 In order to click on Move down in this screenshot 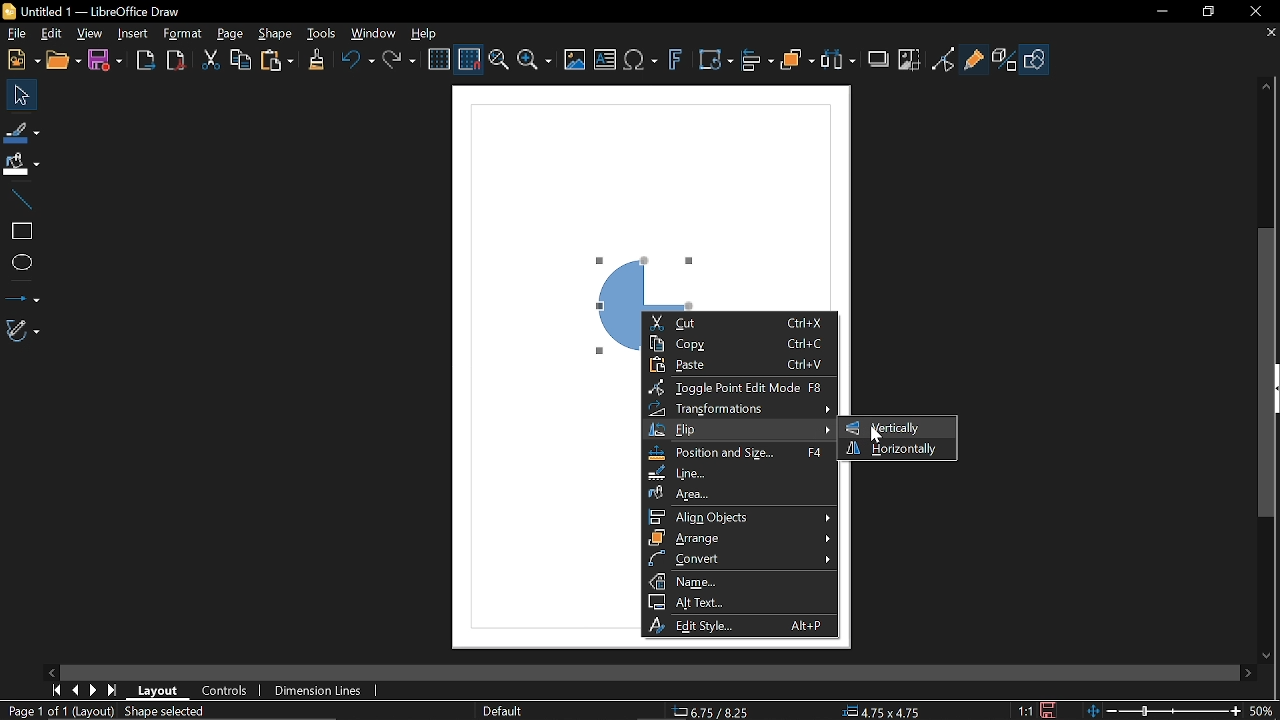, I will do `click(1268, 654)`.